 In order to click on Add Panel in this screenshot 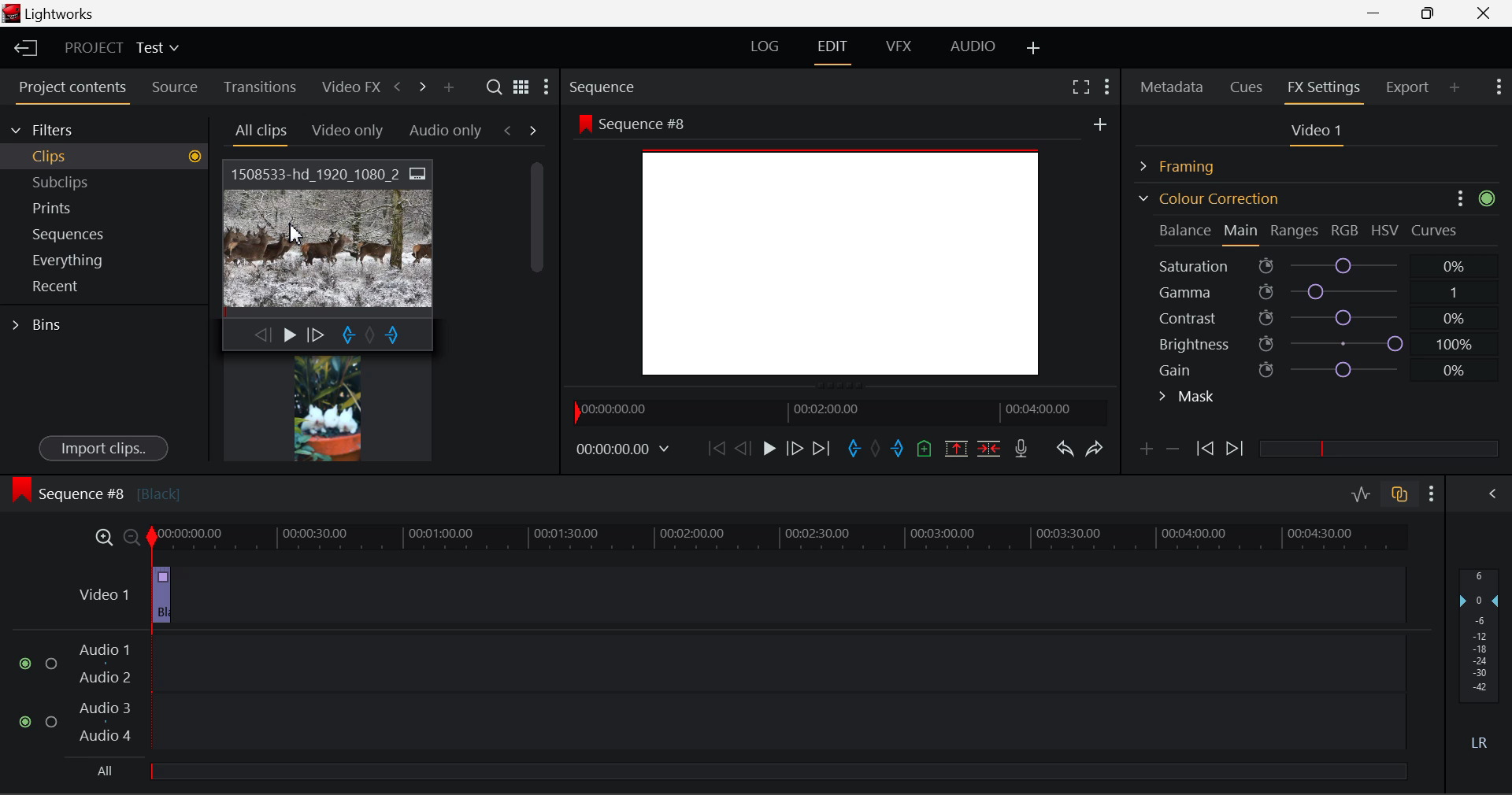, I will do `click(448, 88)`.